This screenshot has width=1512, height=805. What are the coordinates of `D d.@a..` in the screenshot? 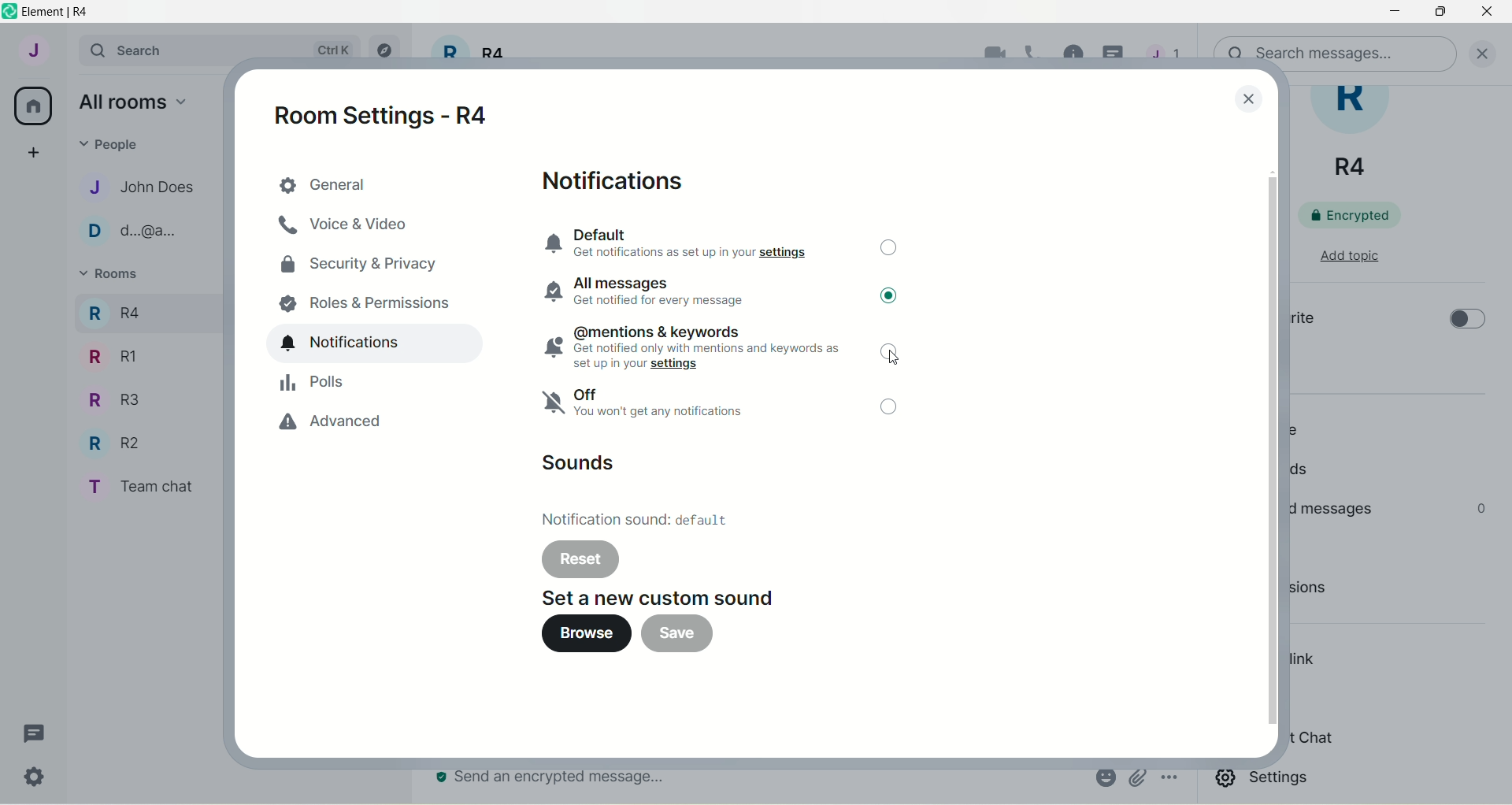 It's located at (127, 231).